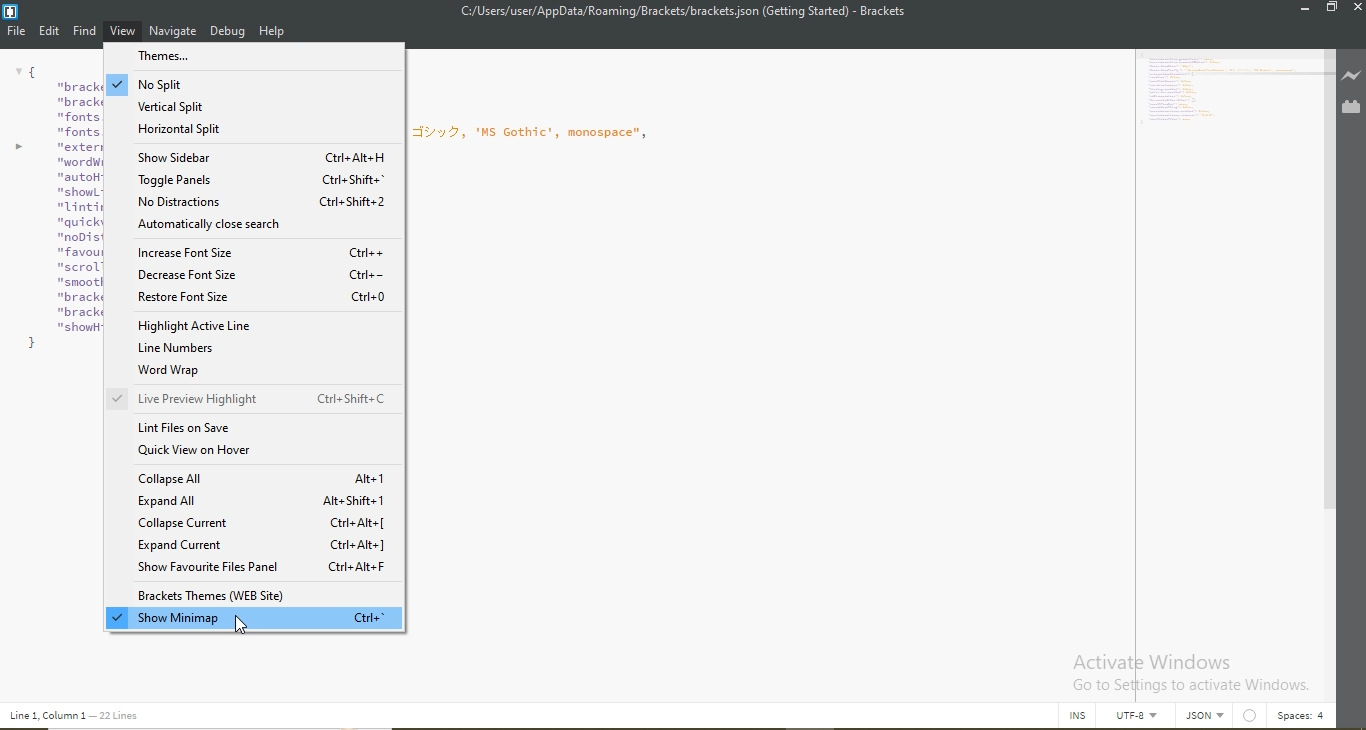 The height and width of the screenshot is (730, 1366). I want to click on Close, so click(1355, 10).